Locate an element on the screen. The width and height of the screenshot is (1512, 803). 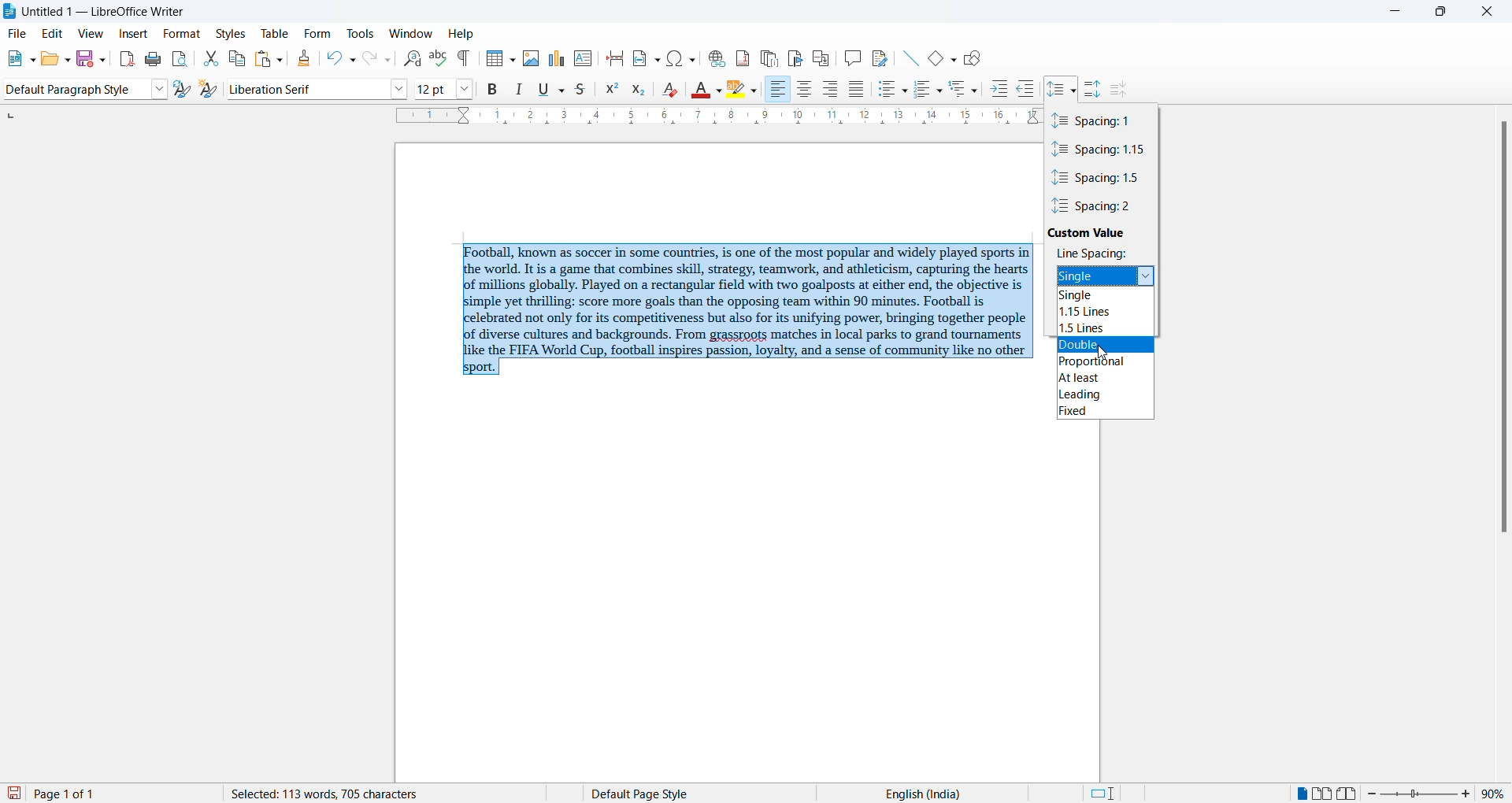
font name is located at coordinates (306, 88).